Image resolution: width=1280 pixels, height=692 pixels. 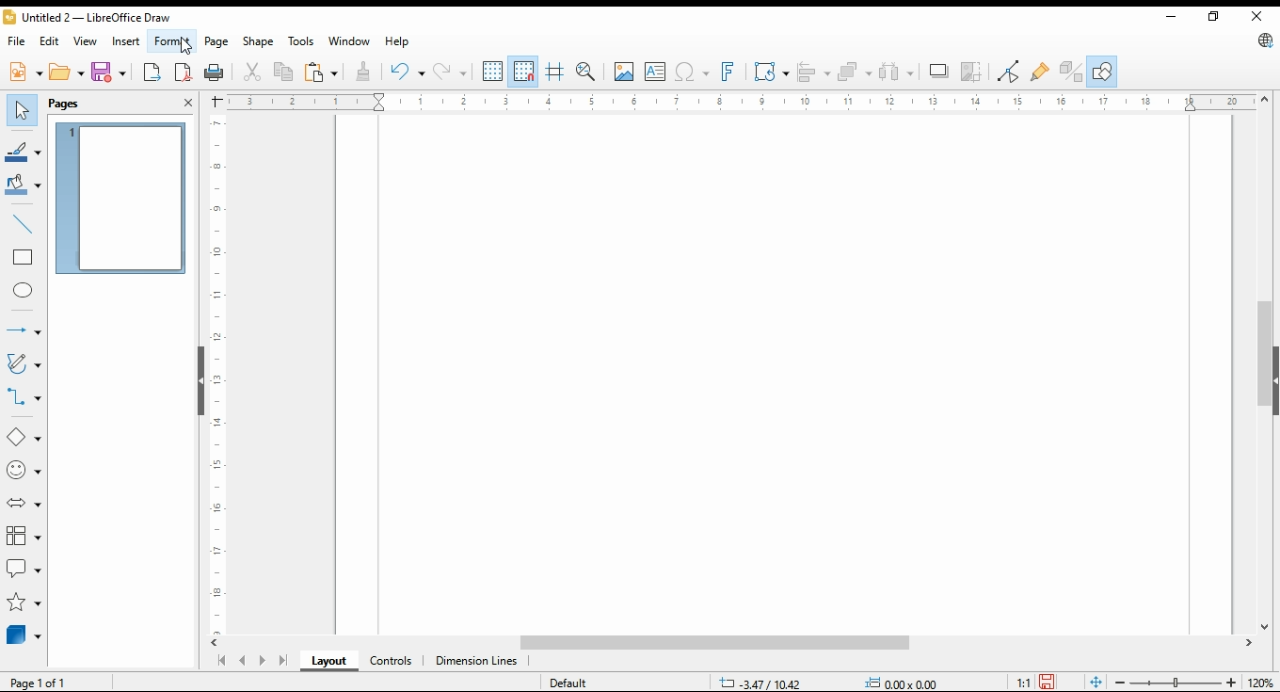 What do you see at coordinates (567, 682) in the screenshot?
I see `default` at bounding box center [567, 682].